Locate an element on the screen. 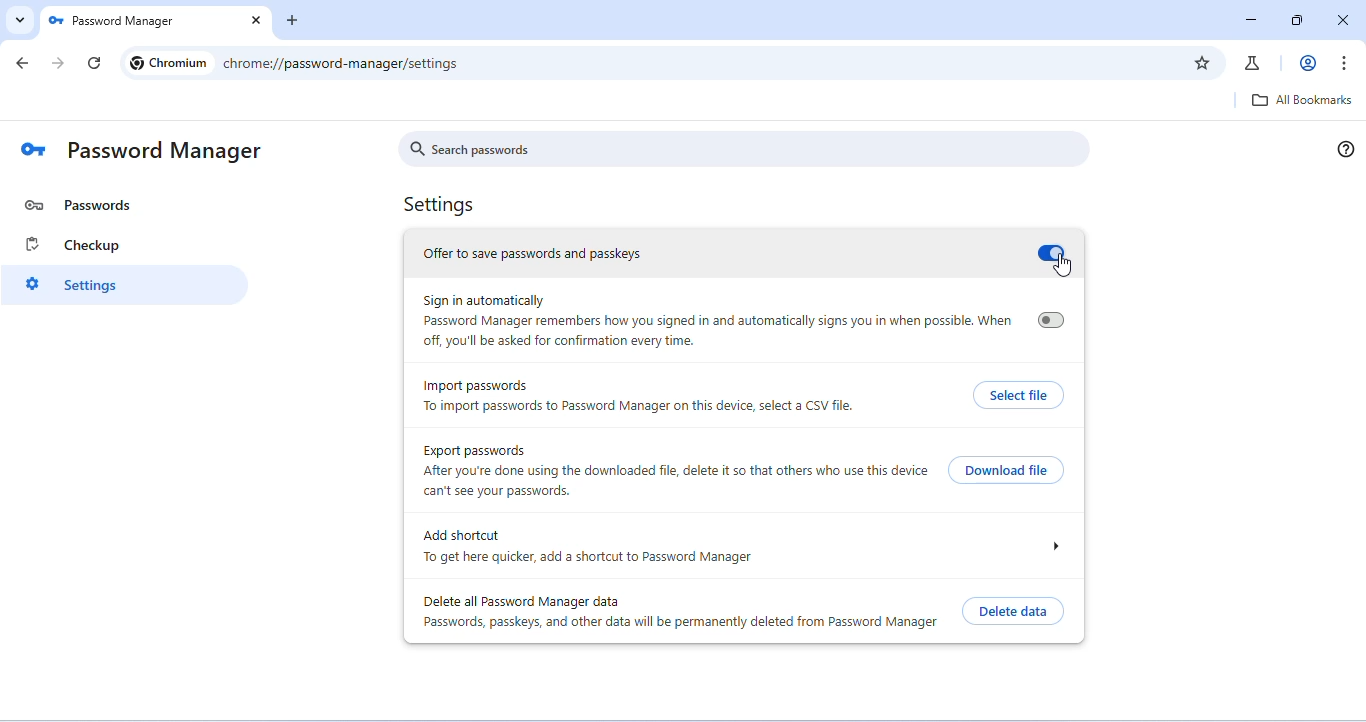 The height and width of the screenshot is (722, 1366). Passwords, passkeys, and other data will be permanently deleted from Password Manager is located at coordinates (681, 622).